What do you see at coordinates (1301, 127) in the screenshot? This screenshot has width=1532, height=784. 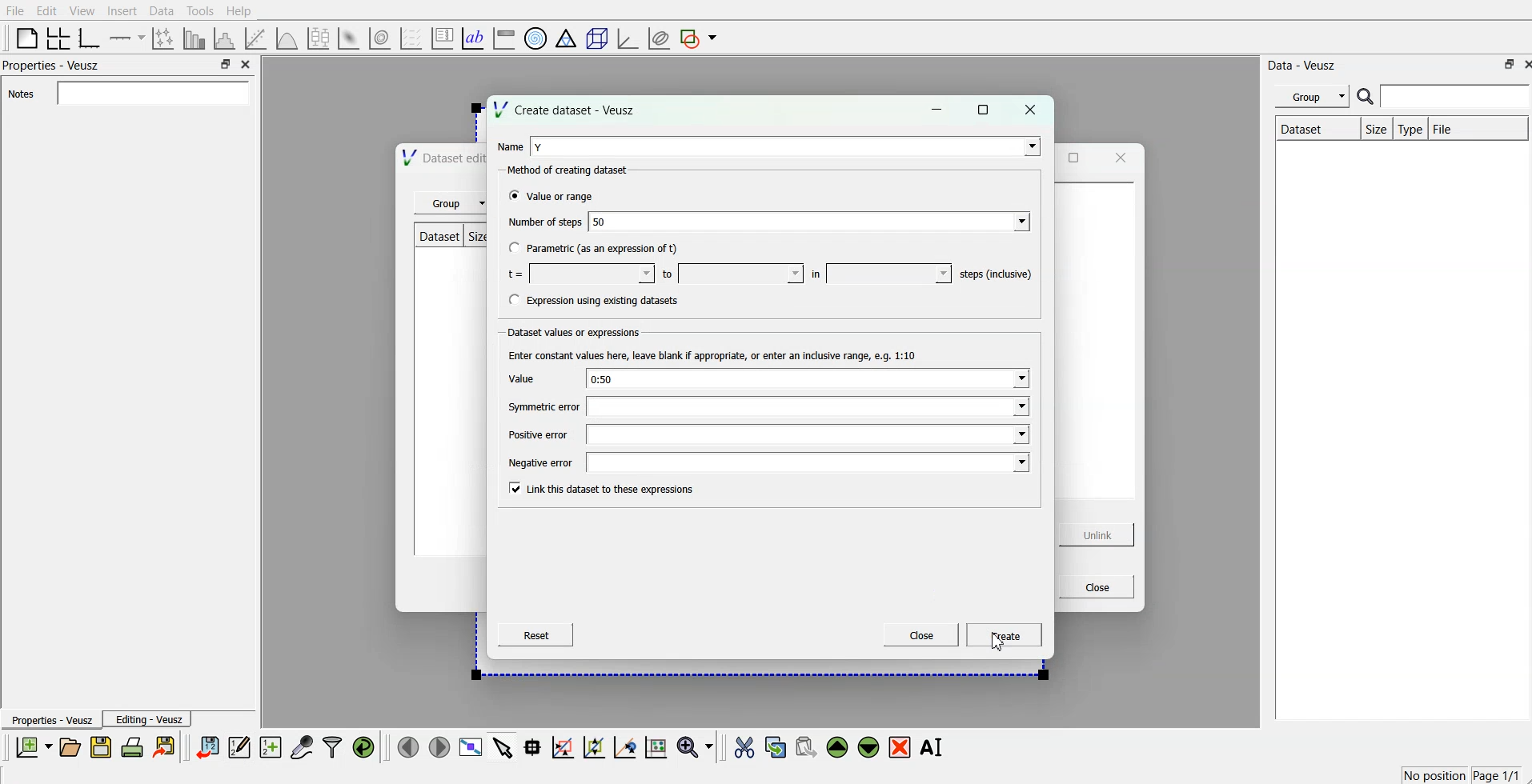 I see `Dataset` at bounding box center [1301, 127].